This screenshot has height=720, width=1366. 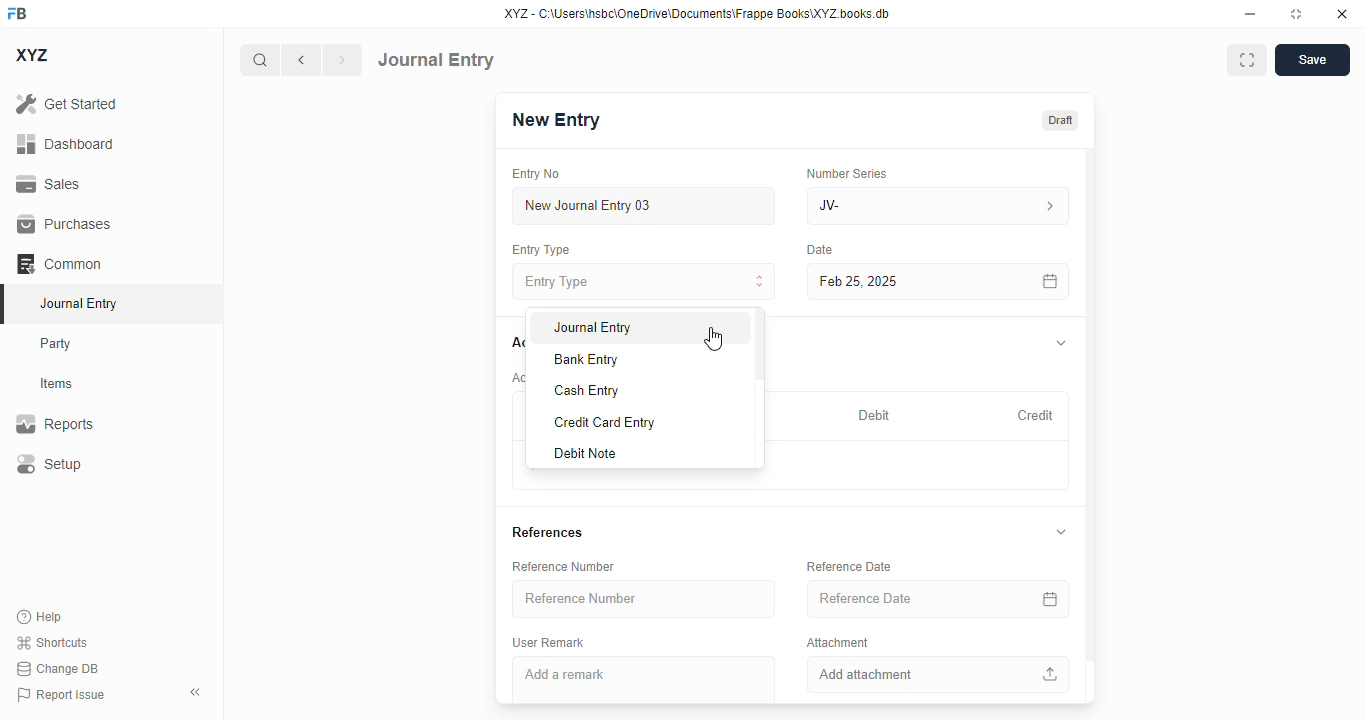 I want to click on bank entry, so click(x=587, y=359).